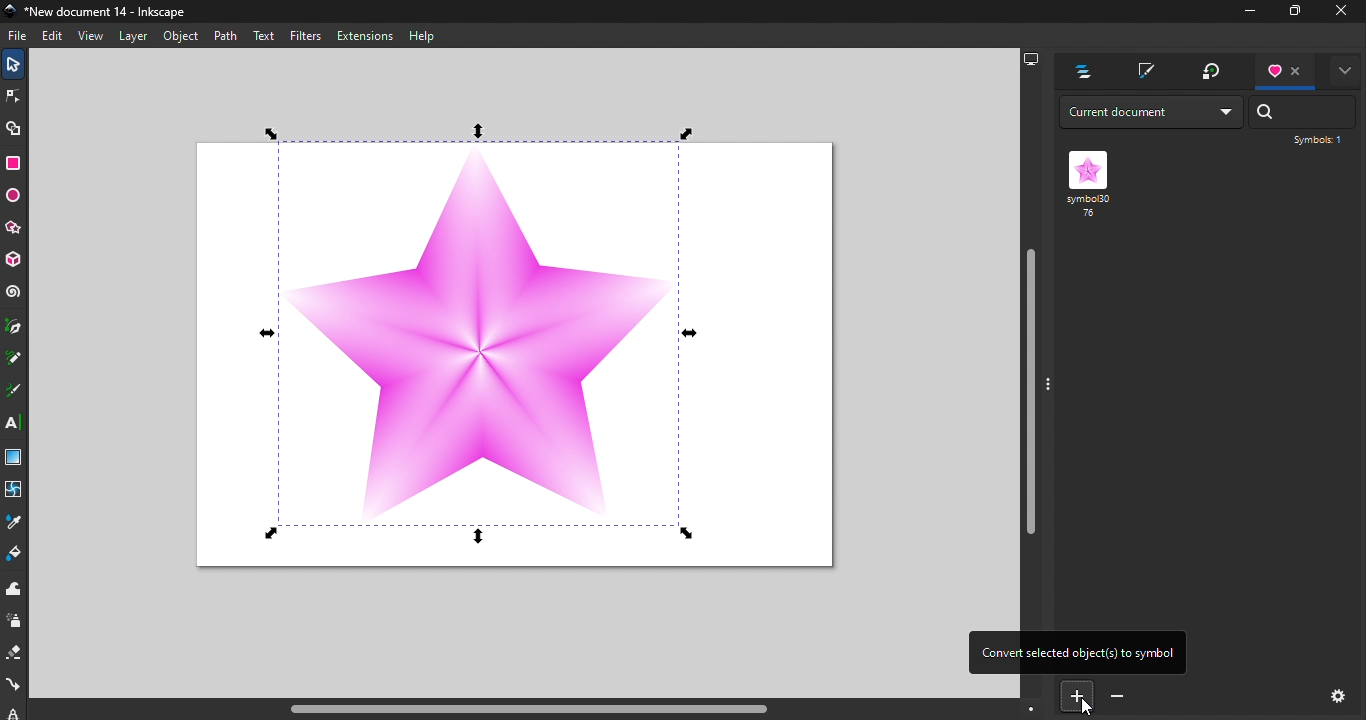  What do you see at coordinates (19, 551) in the screenshot?
I see `Paint bucket tool` at bounding box center [19, 551].